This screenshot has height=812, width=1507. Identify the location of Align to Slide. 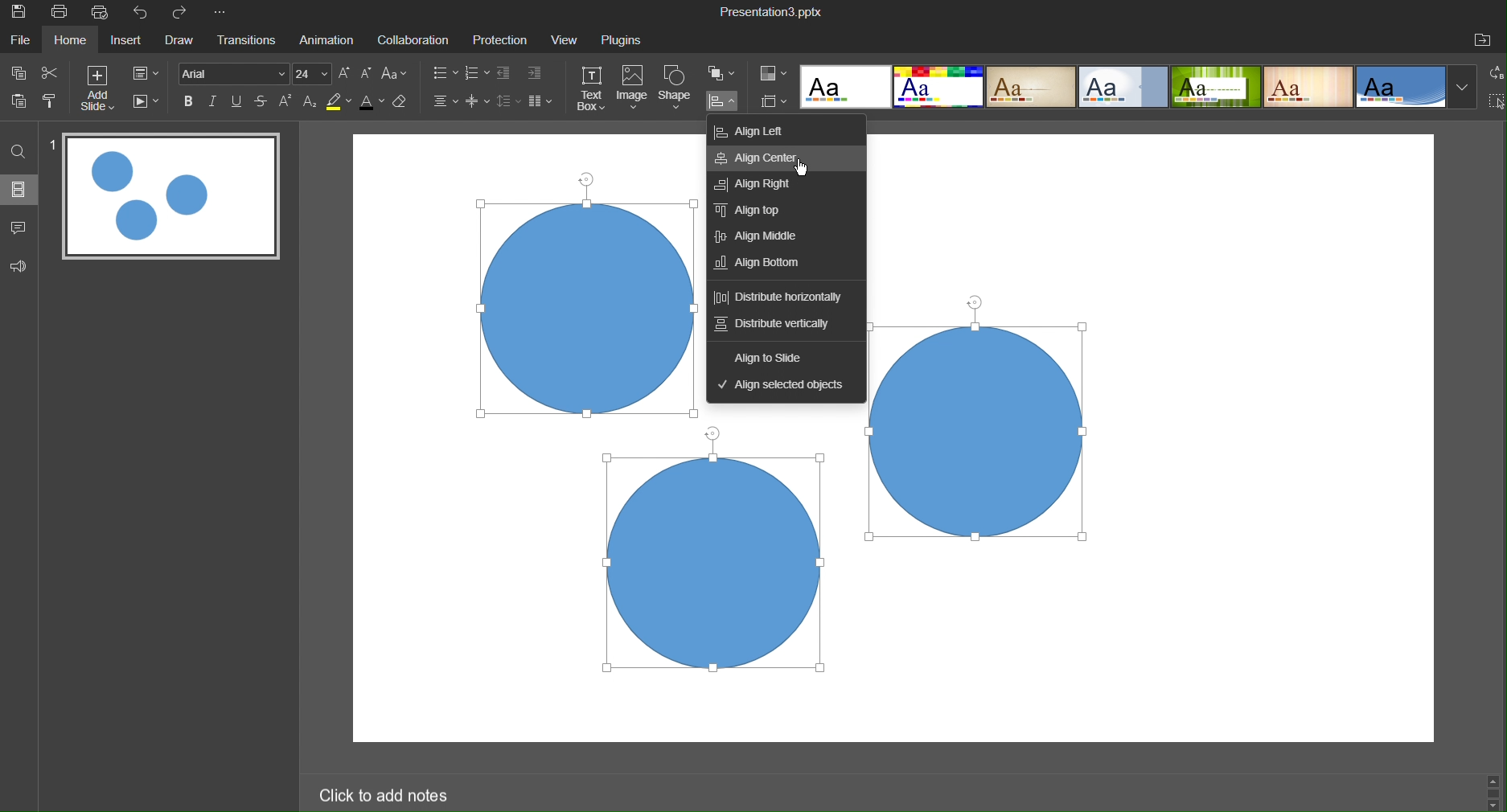
(770, 355).